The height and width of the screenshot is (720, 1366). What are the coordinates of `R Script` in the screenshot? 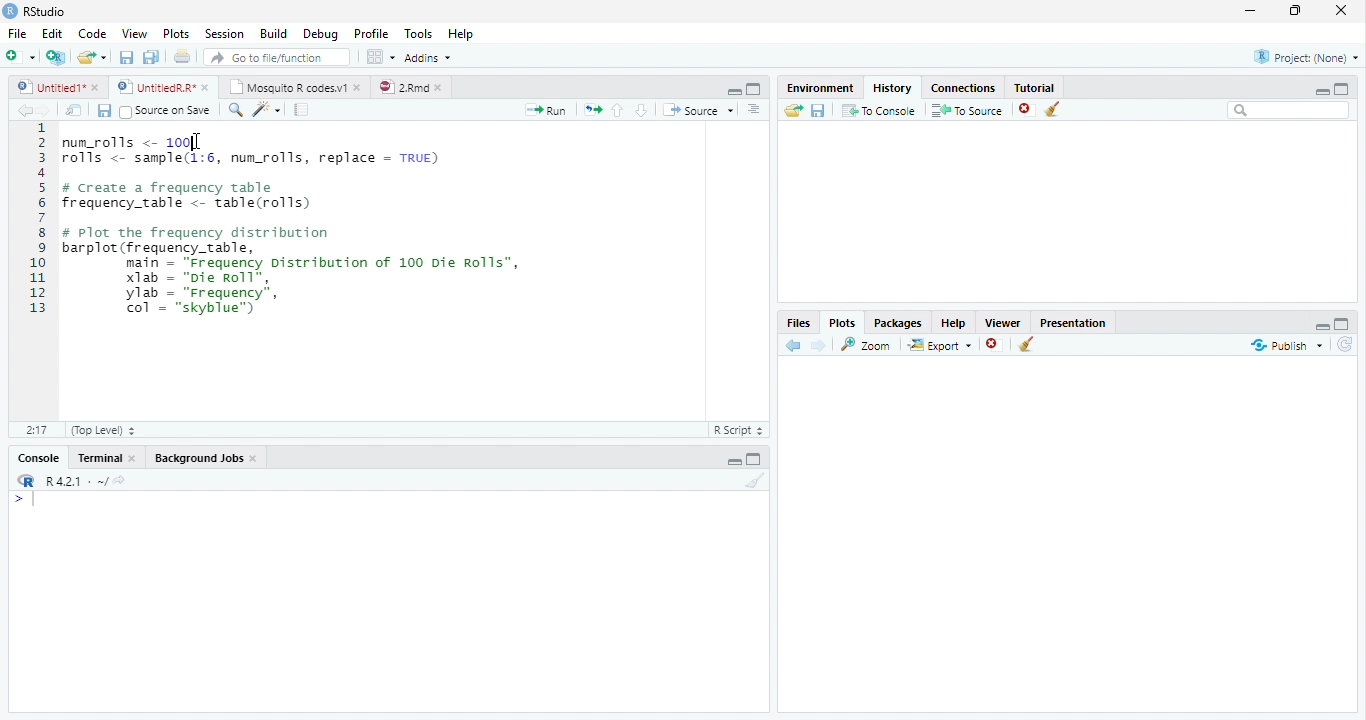 It's located at (739, 430).